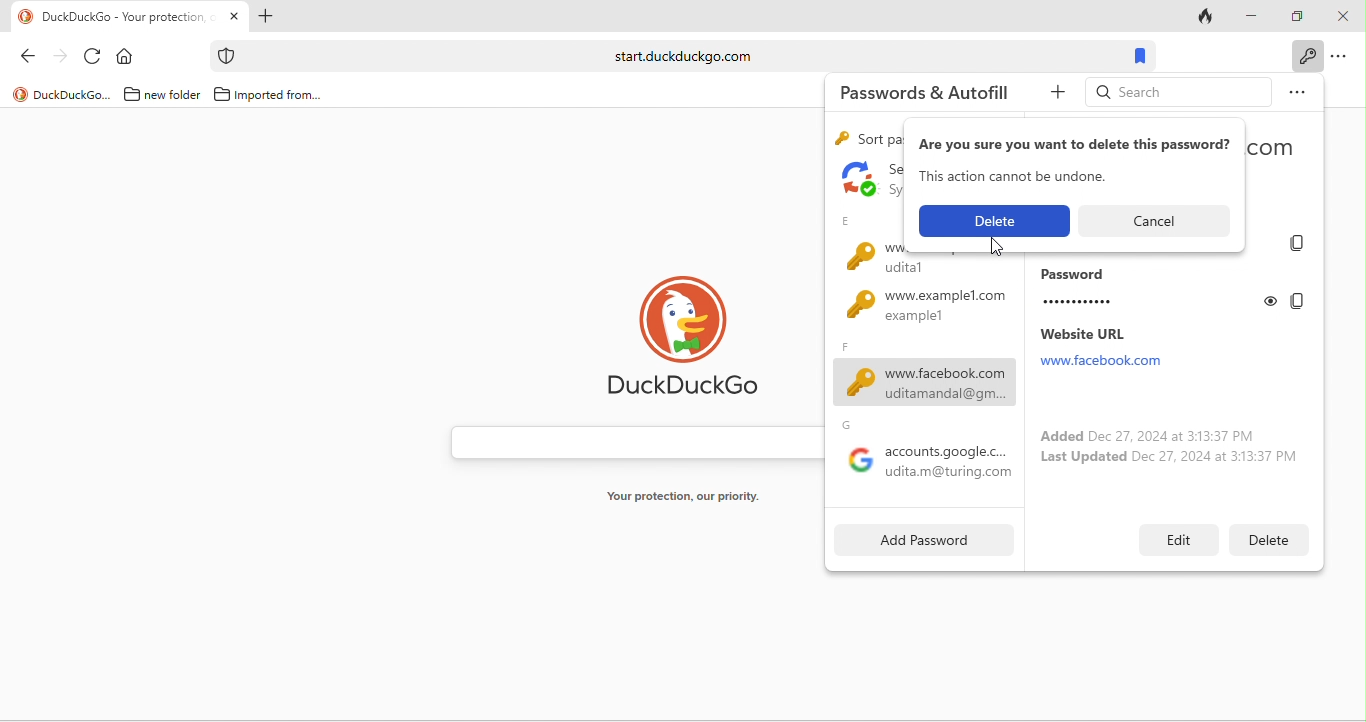 The image size is (1366, 722). Describe the element at coordinates (1296, 90) in the screenshot. I see `option` at that location.